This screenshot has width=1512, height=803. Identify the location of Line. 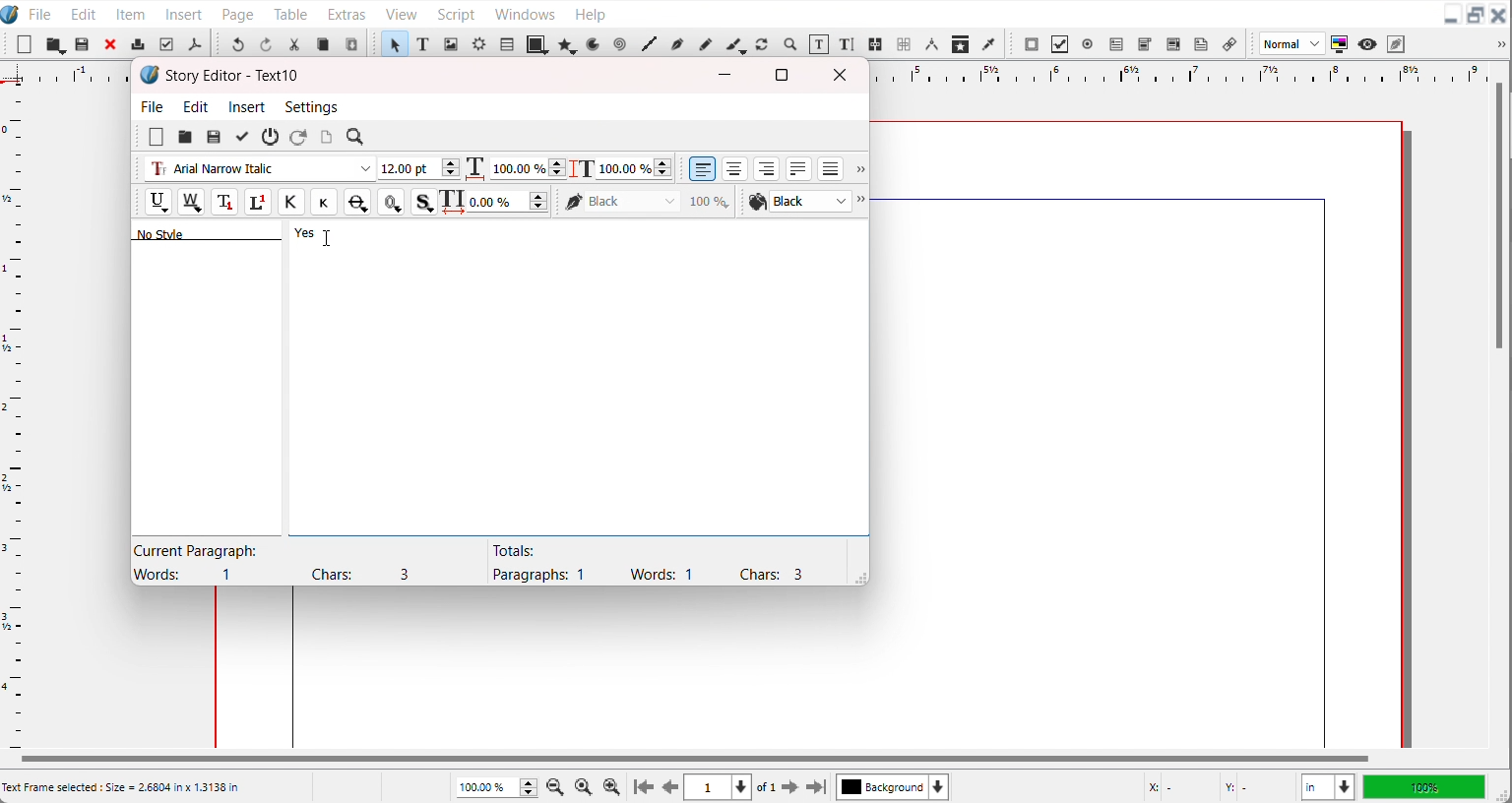
(649, 44).